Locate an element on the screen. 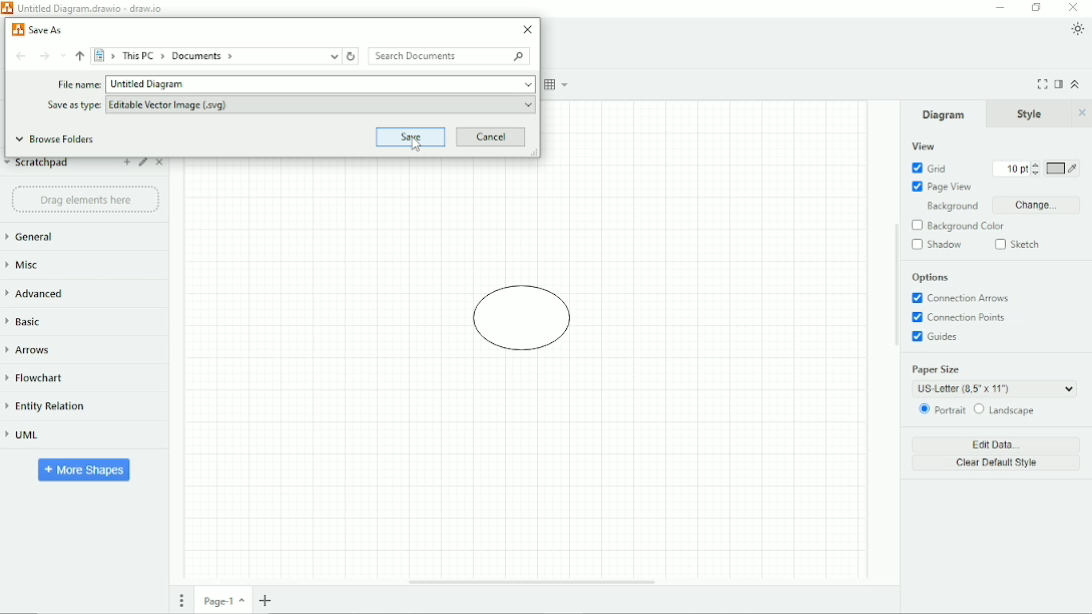 The height and width of the screenshot is (614, 1092). Horizontal Scroll Bar is located at coordinates (530, 582).